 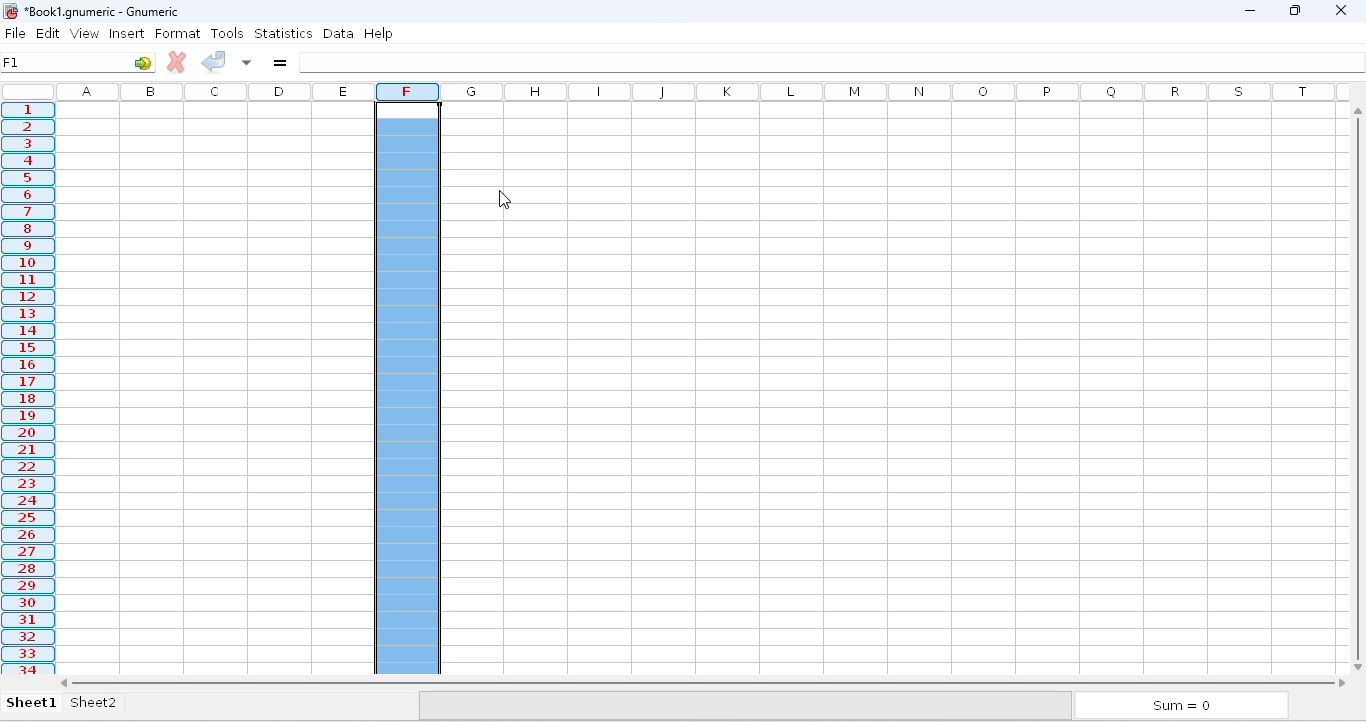 I want to click on format, so click(x=178, y=34).